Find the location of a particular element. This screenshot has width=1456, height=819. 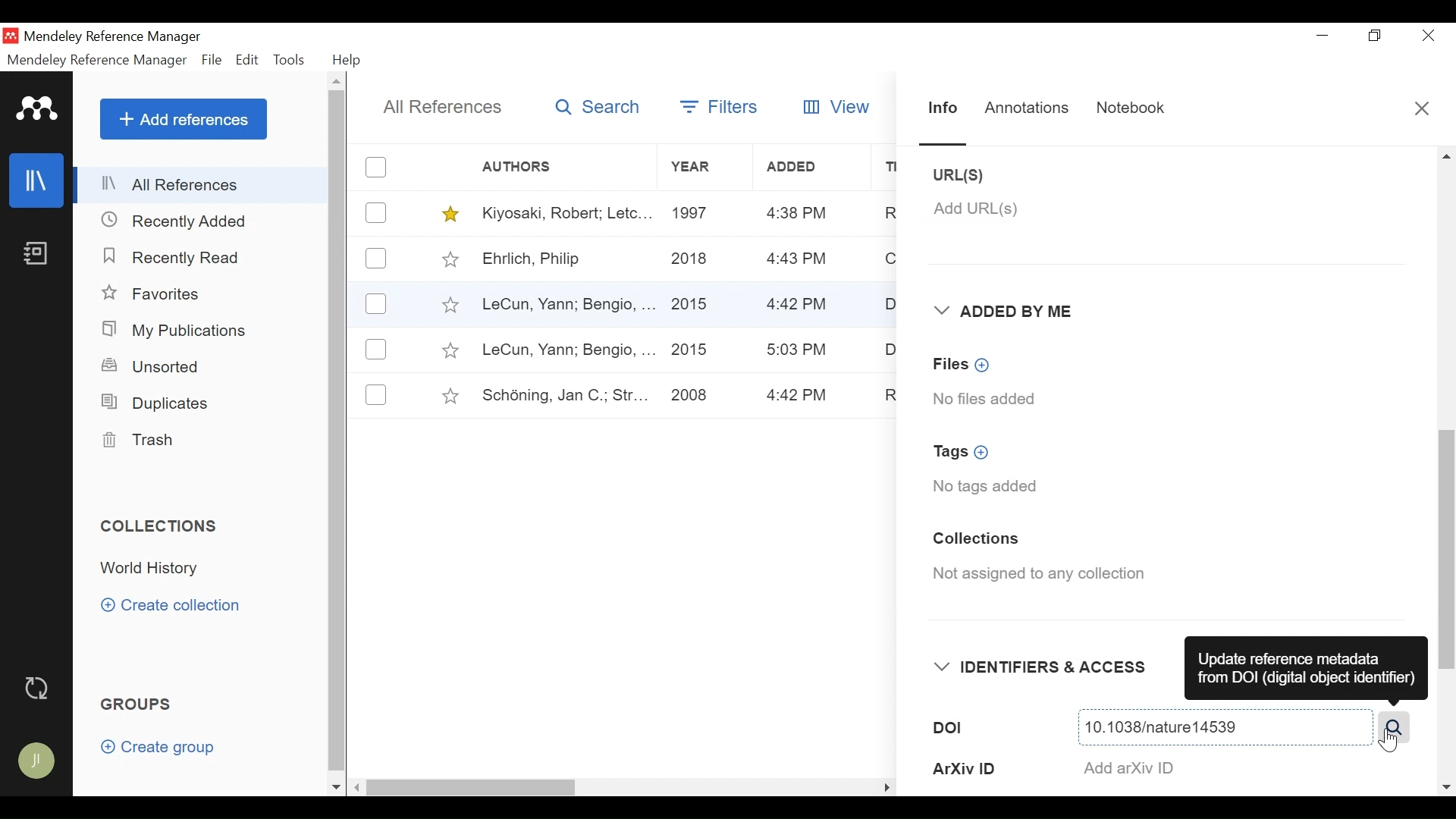

No files added is located at coordinates (987, 398).